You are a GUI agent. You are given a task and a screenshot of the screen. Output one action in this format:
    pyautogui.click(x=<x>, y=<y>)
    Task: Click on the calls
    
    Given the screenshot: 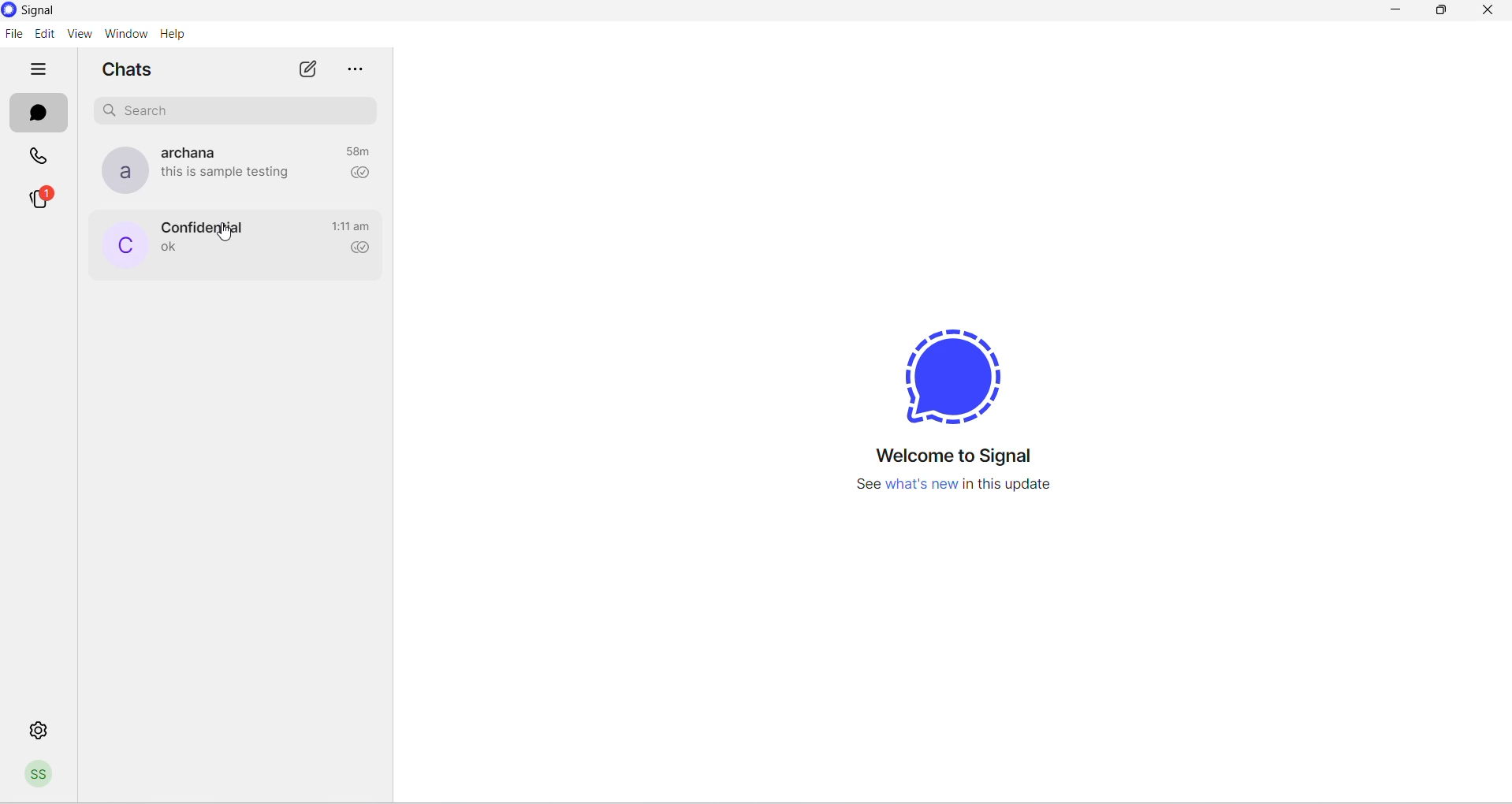 What is the action you would take?
    pyautogui.click(x=39, y=158)
    